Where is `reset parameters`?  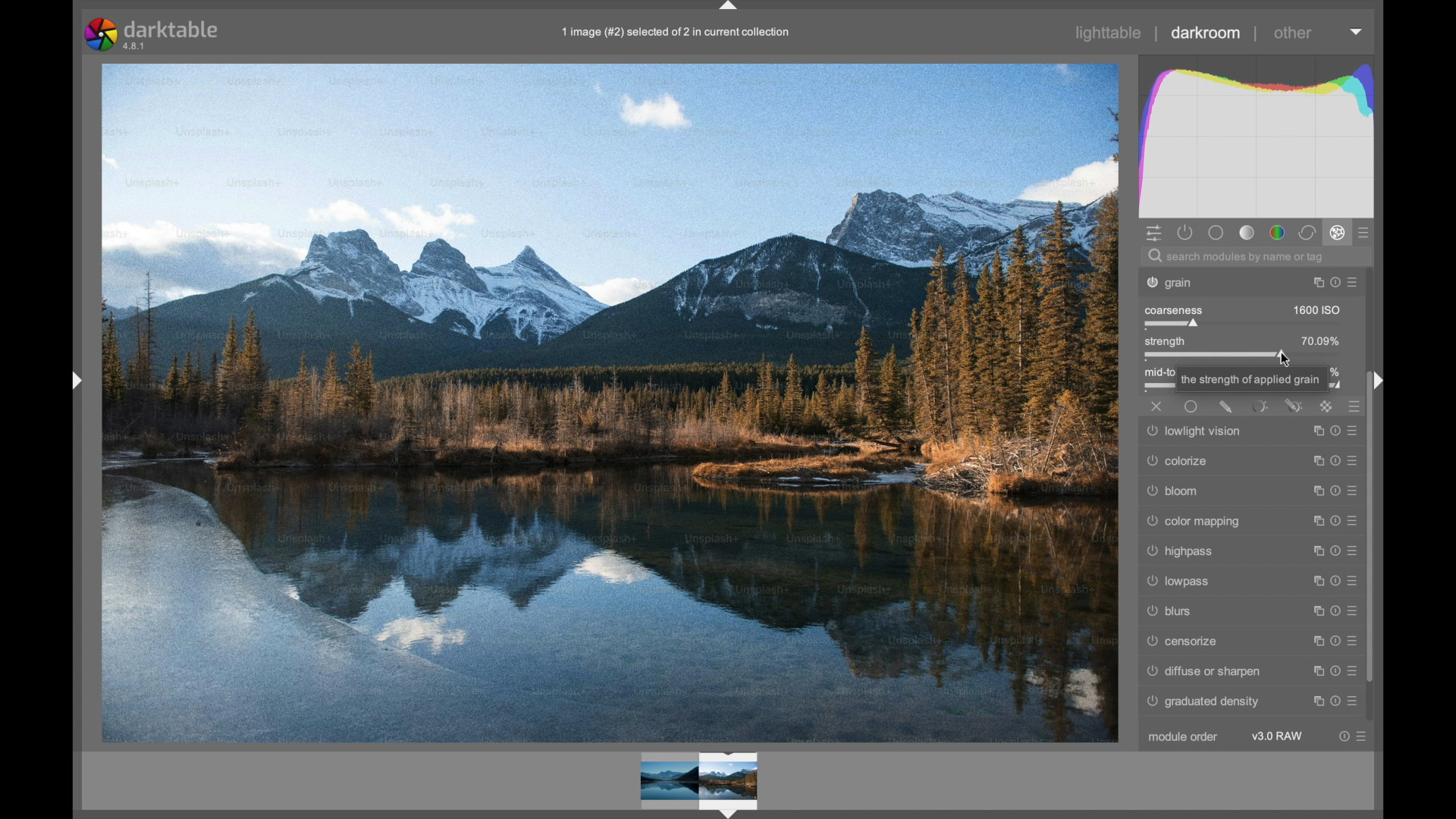
reset parameters is located at coordinates (1335, 431).